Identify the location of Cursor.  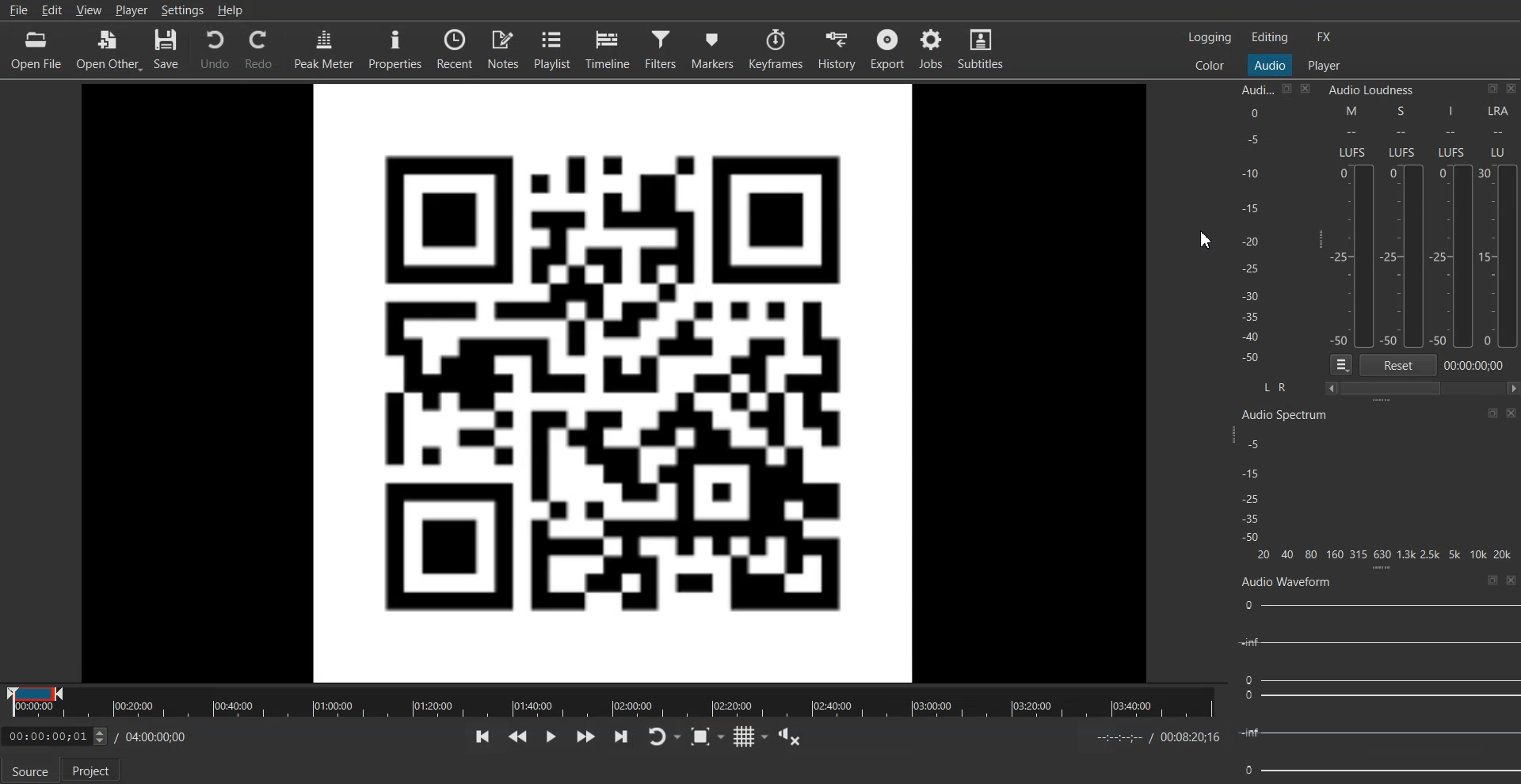
(1206, 238).